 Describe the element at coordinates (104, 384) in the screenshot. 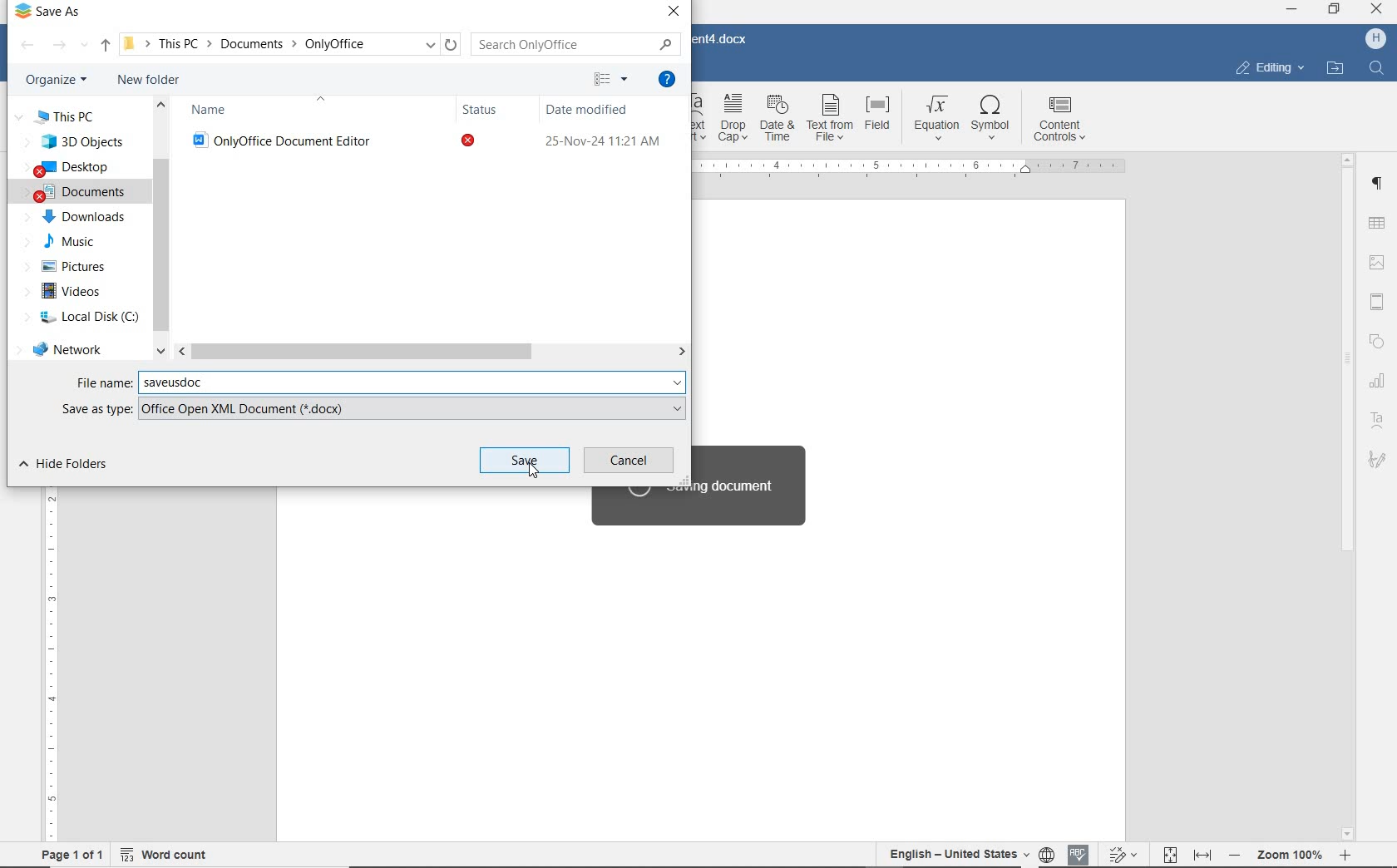

I see `File name:` at that location.